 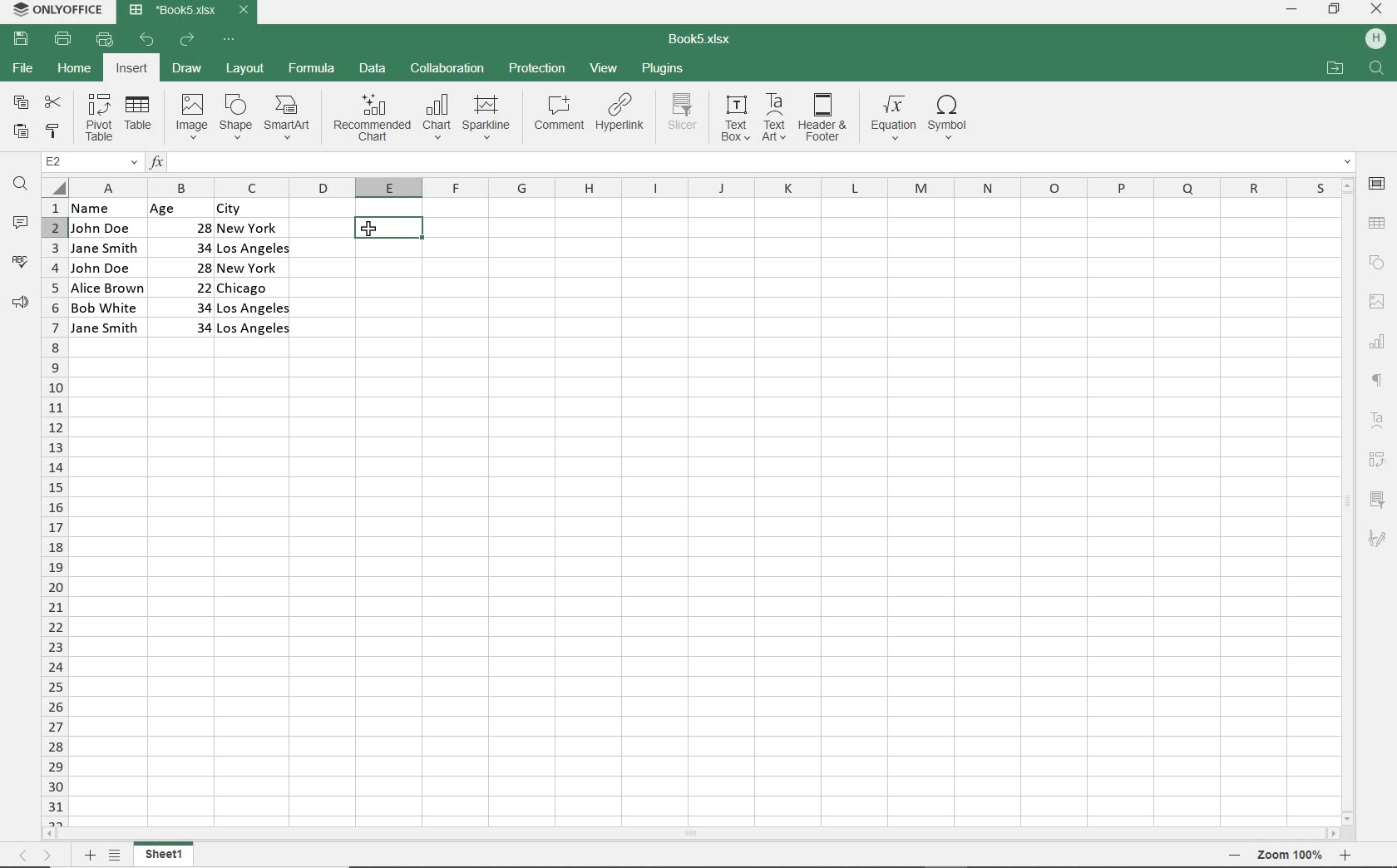 What do you see at coordinates (63, 40) in the screenshot?
I see `PRINT` at bounding box center [63, 40].